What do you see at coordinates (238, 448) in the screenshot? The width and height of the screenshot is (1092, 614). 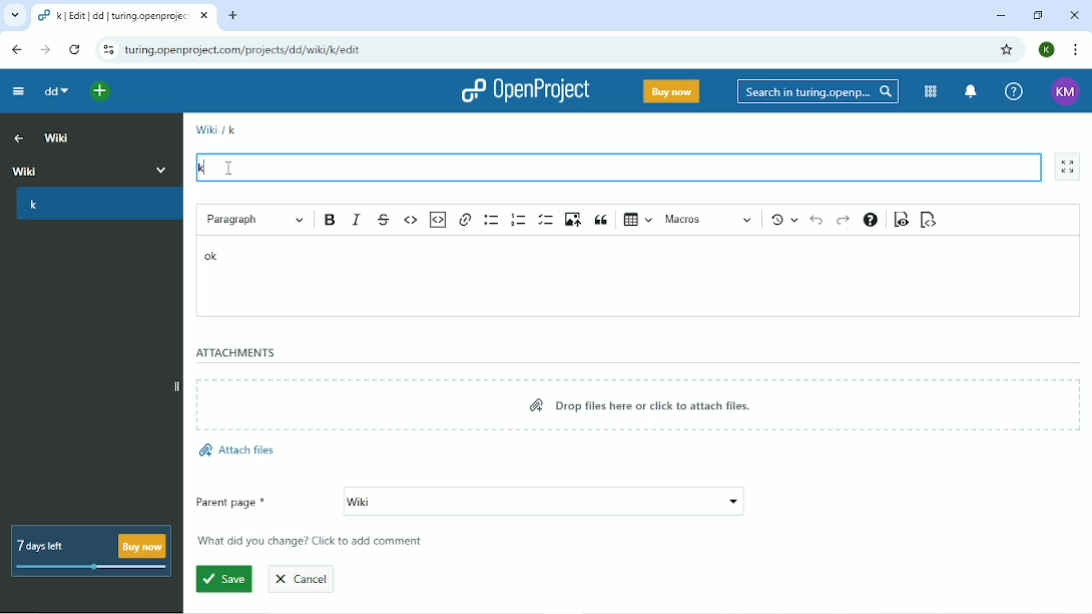 I see `Attach files` at bounding box center [238, 448].